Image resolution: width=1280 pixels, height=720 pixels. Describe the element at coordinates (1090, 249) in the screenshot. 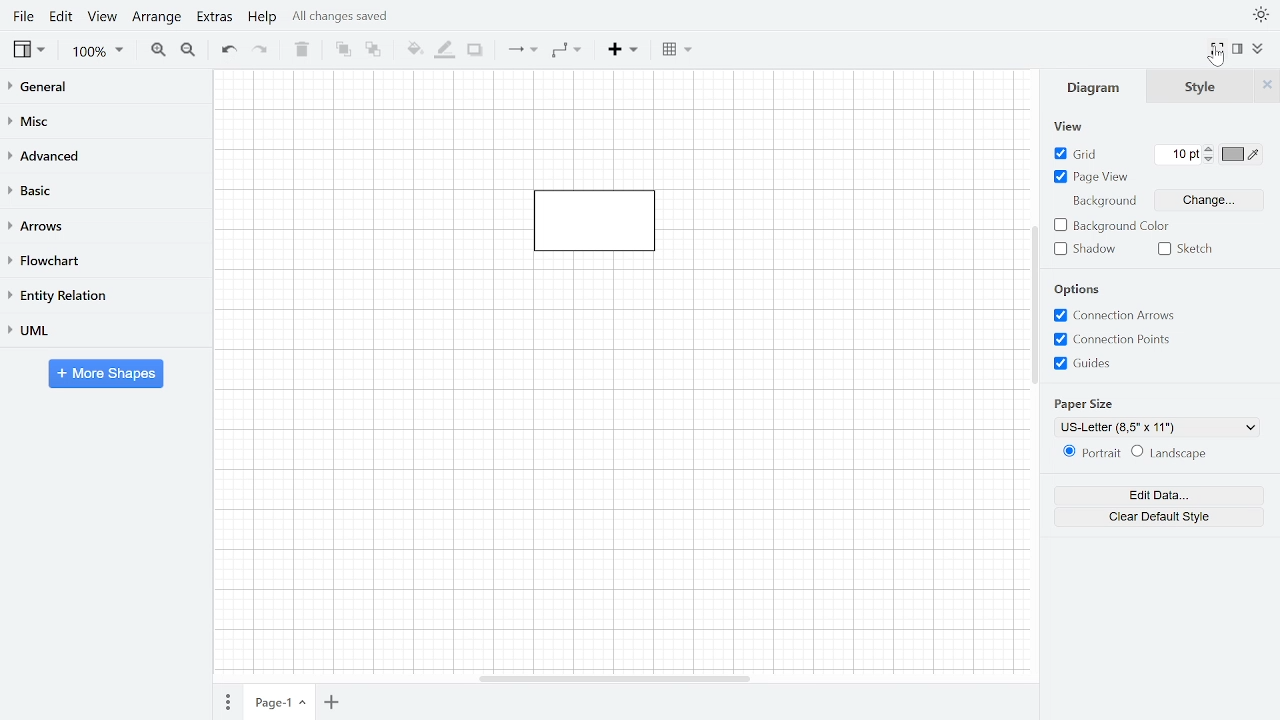

I see `shadow` at that location.